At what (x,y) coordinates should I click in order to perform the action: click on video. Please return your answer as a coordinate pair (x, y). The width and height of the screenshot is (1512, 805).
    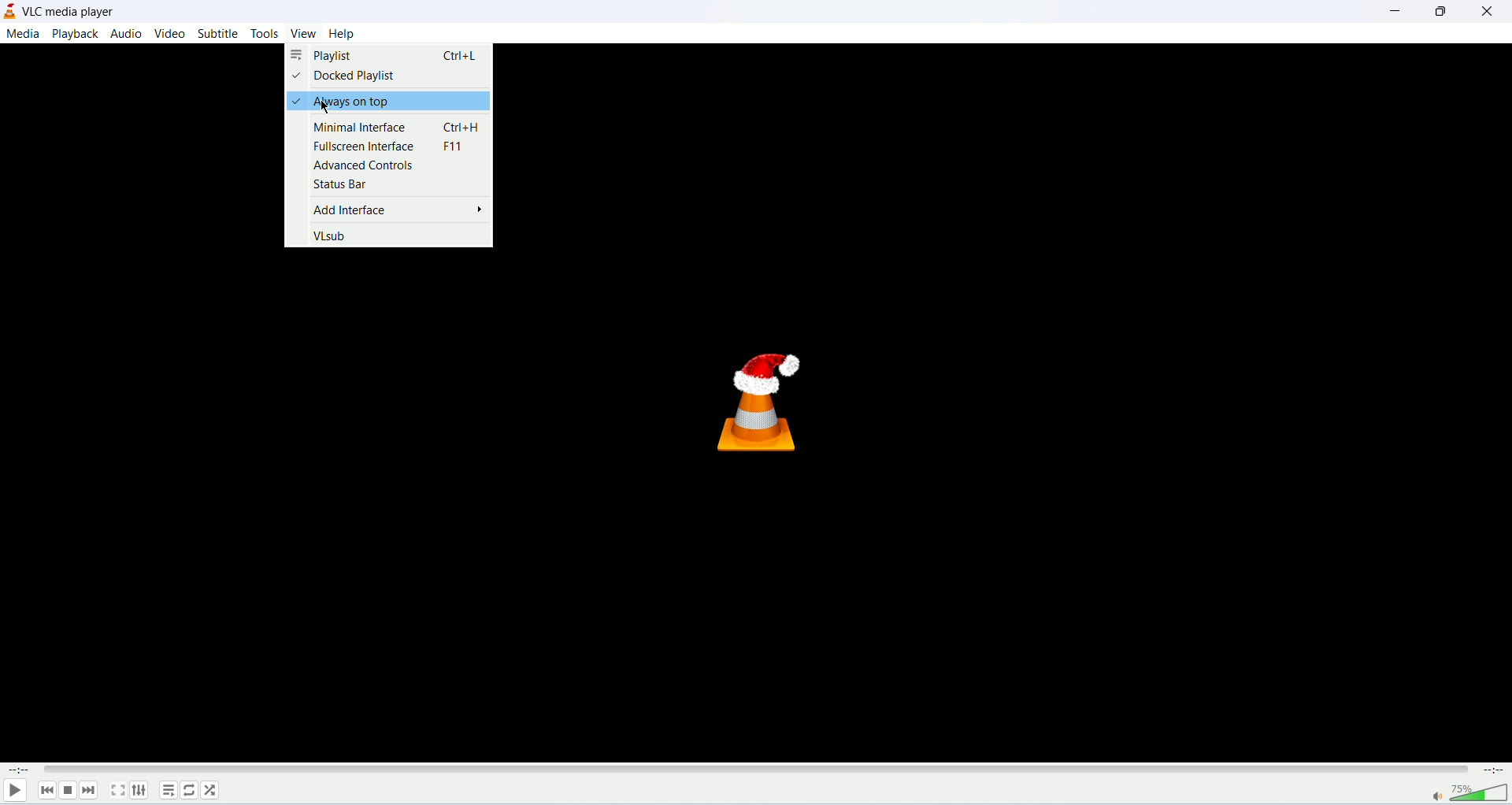
    Looking at the image, I should click on (169, 34).